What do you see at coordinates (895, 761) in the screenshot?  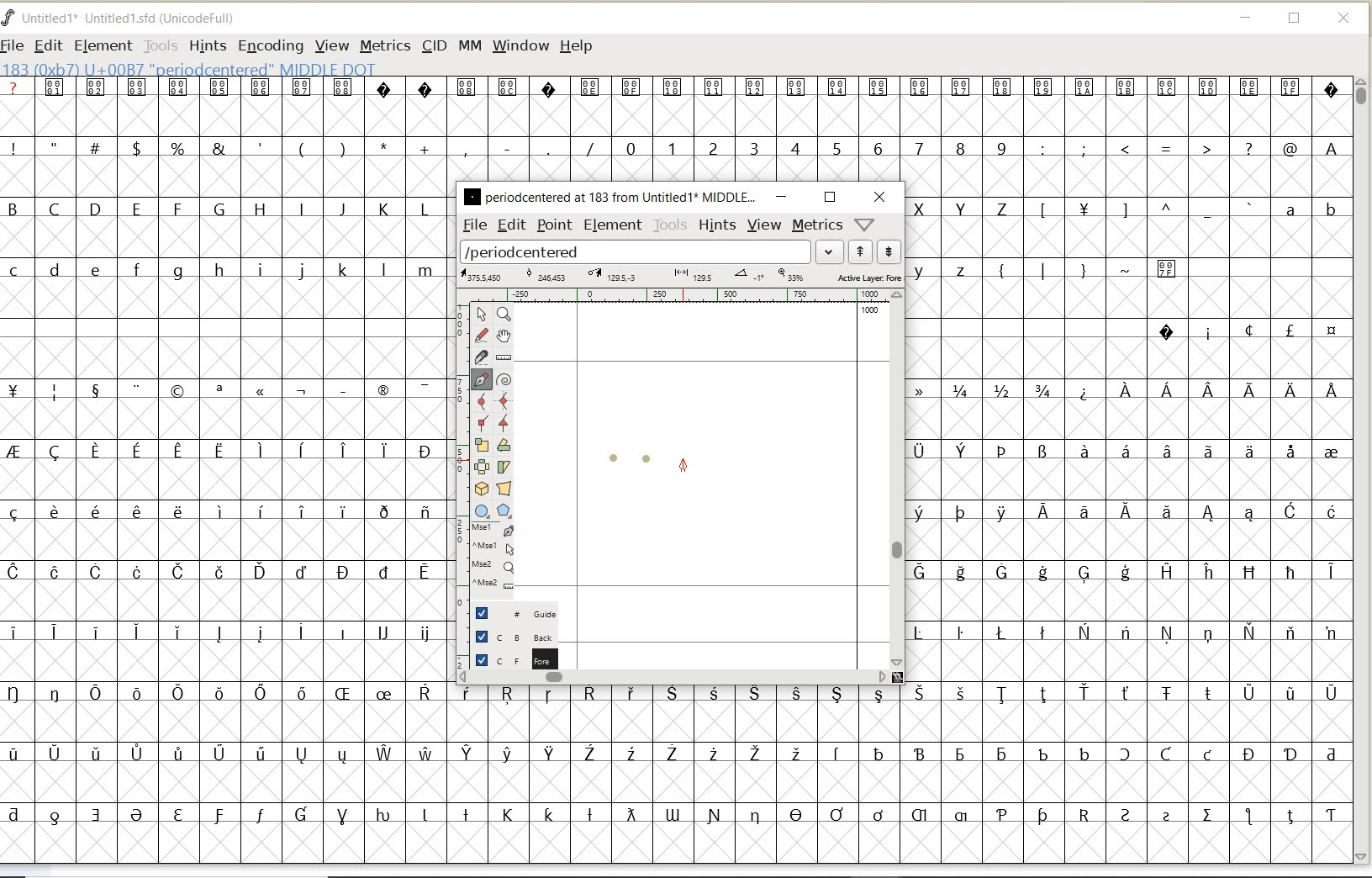 I see `special characters` at bounding box center [895, 761].